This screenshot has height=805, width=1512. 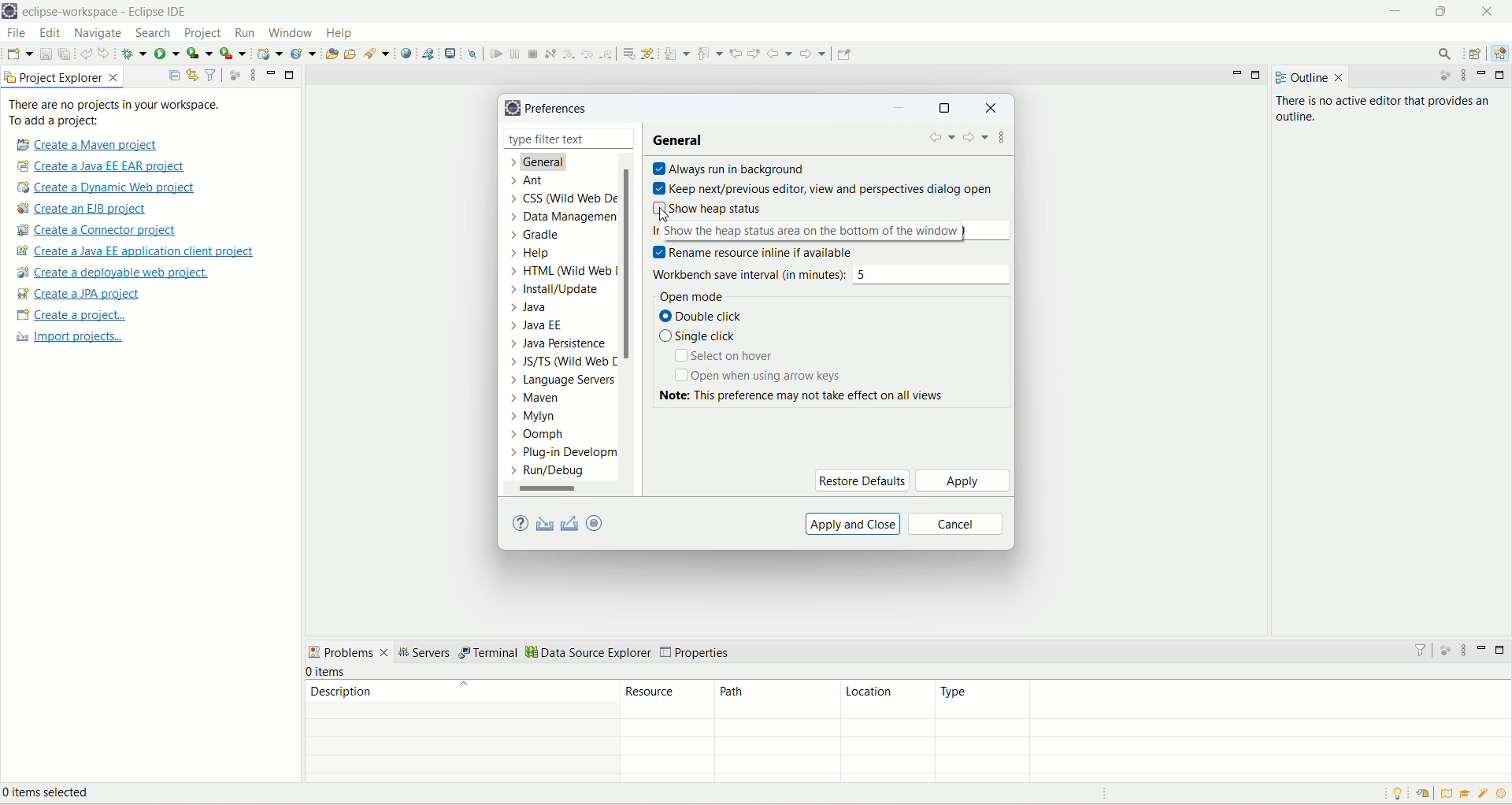 What do you see at coordinates (557, 473) in the screenshot?
I see `run/debug` at bounding box center [557, 473].